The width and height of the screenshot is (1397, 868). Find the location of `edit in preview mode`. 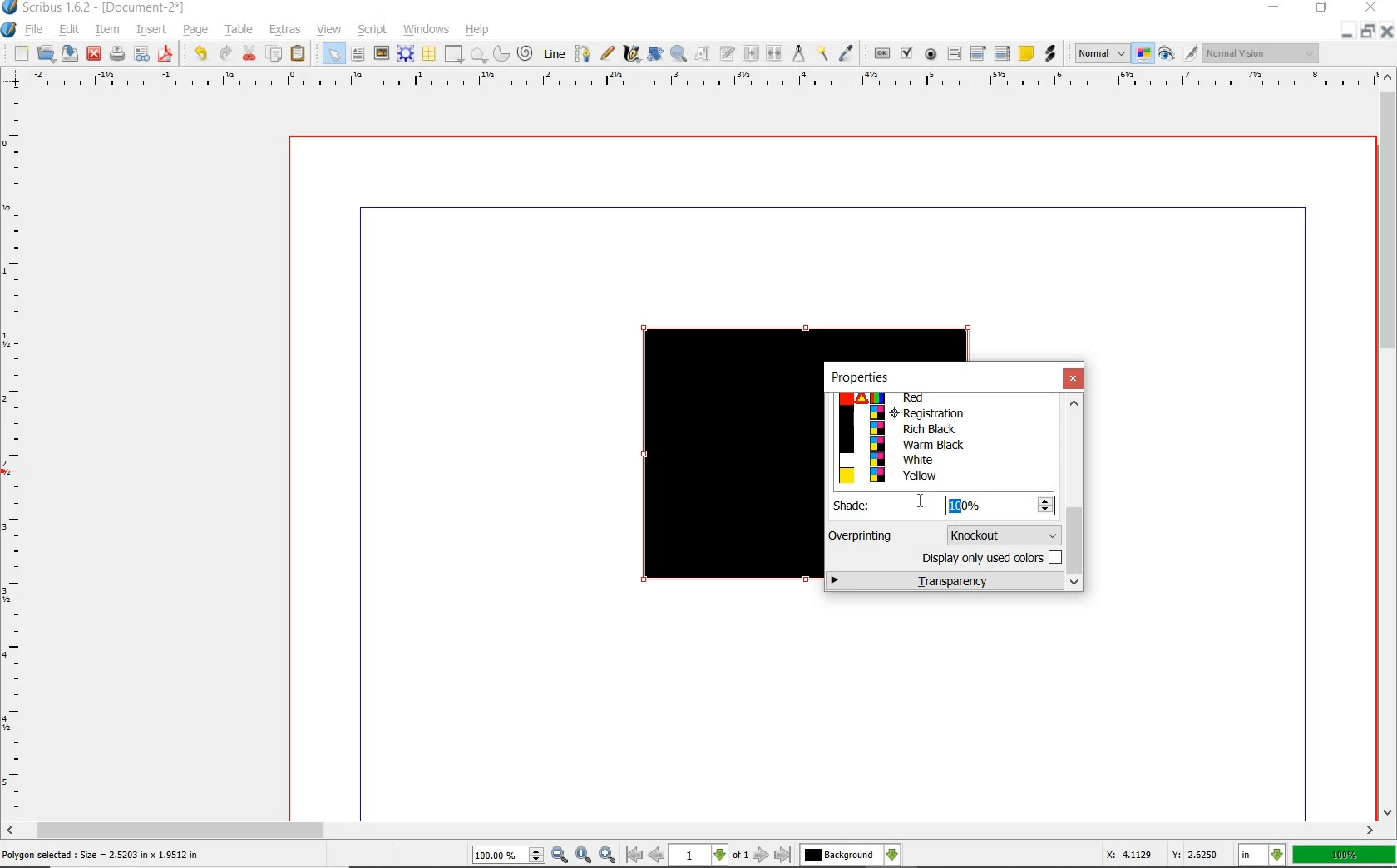

edit in preview mode is located at coordinates (1190, 53).